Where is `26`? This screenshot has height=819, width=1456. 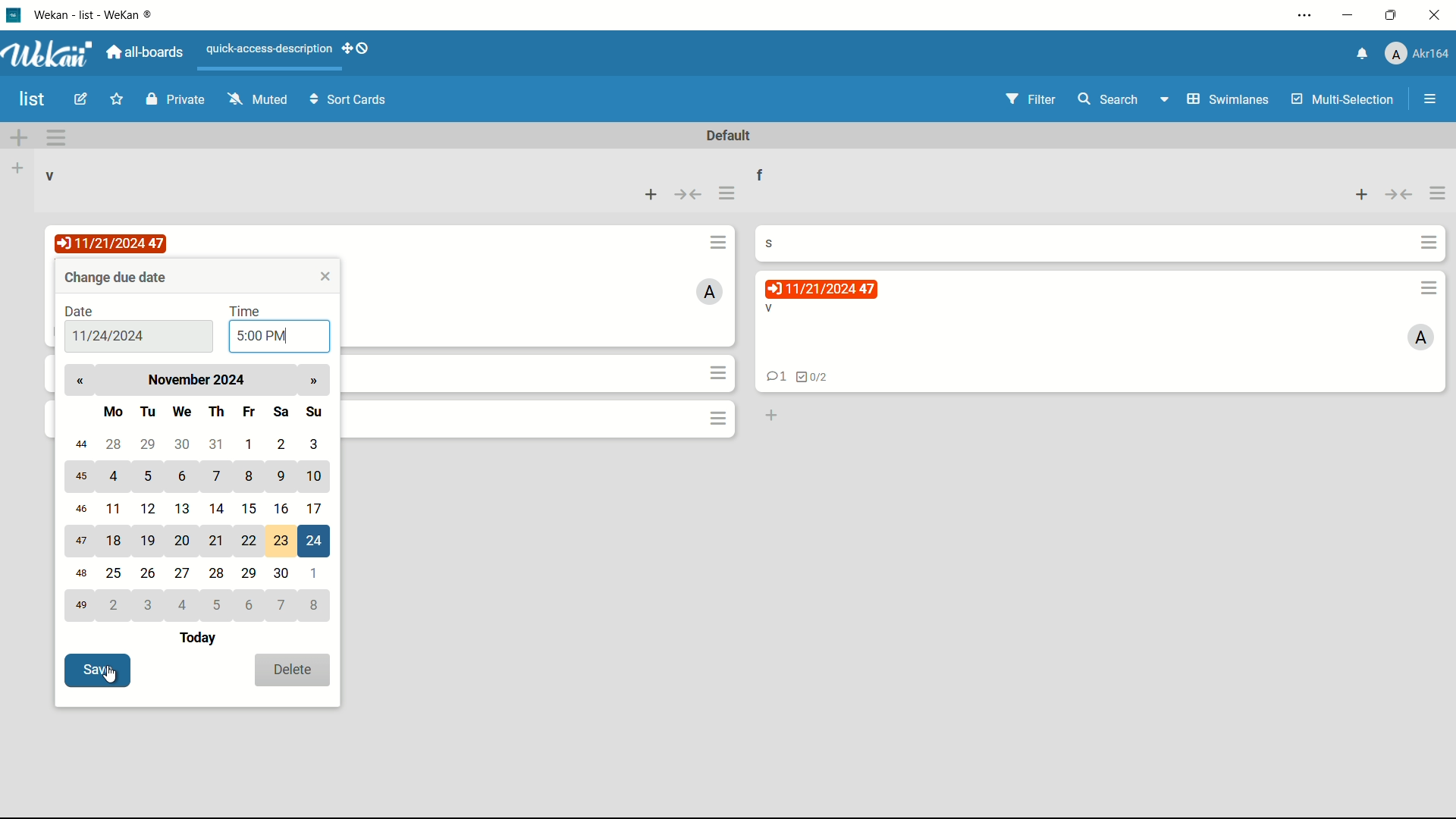
26 is located at coordinates (149, 573).